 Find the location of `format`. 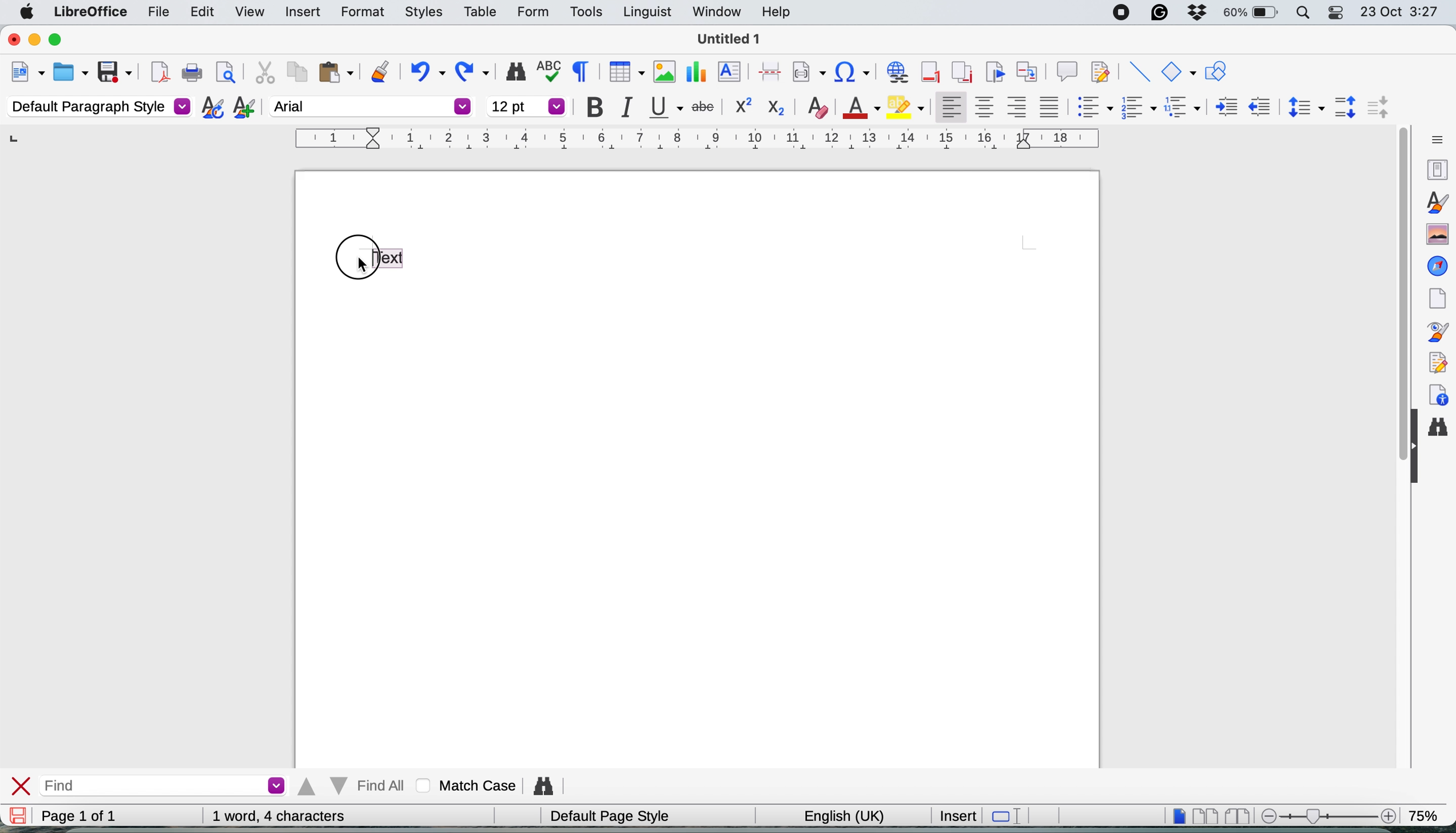

format is located at coordinates (356, 13).